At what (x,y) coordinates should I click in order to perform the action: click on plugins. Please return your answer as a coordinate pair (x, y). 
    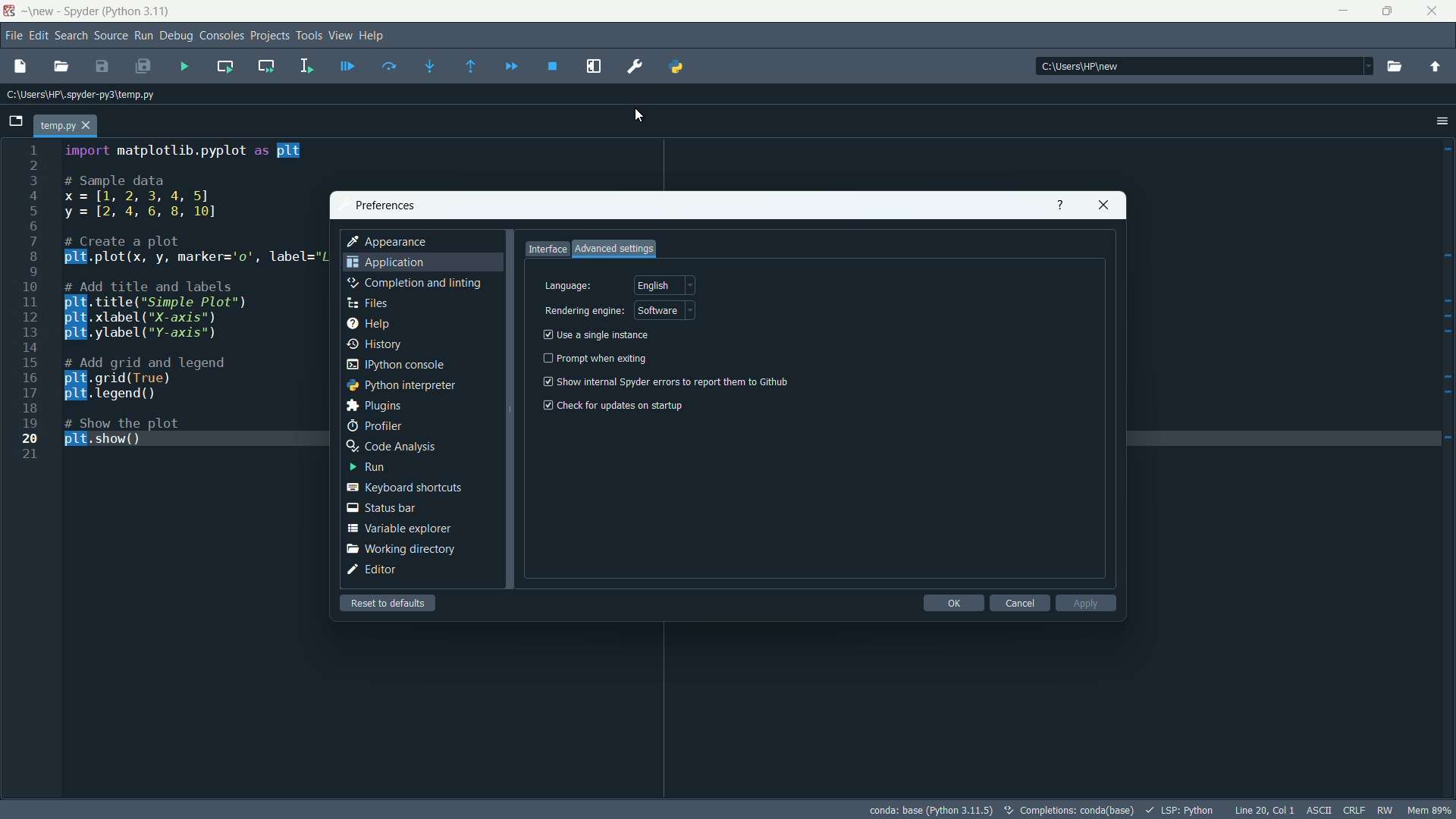
    Looking at the image, I should click on (376, 406).